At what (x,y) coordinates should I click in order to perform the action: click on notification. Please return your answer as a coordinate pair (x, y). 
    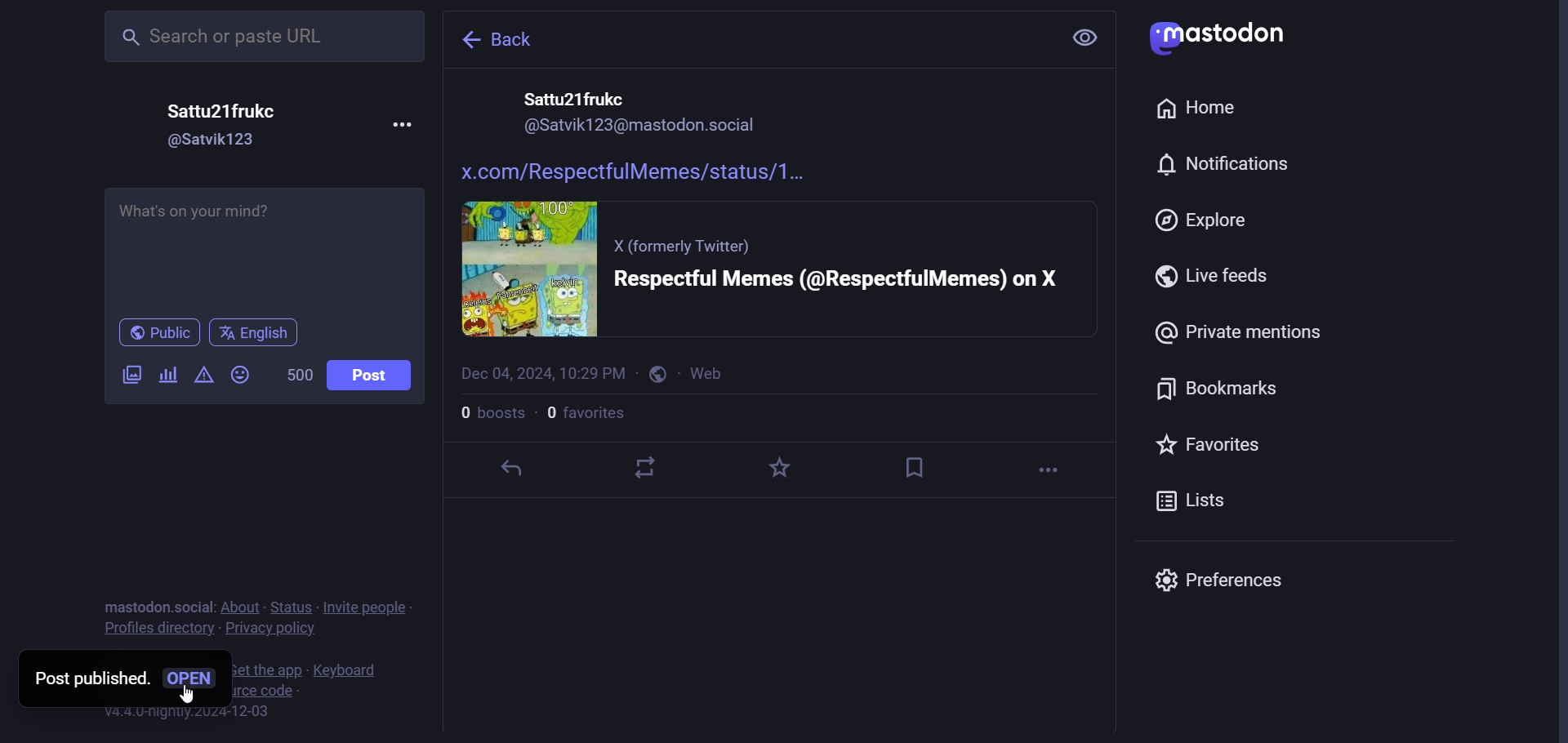
    Looking at the image, I should click on (1226, 167).